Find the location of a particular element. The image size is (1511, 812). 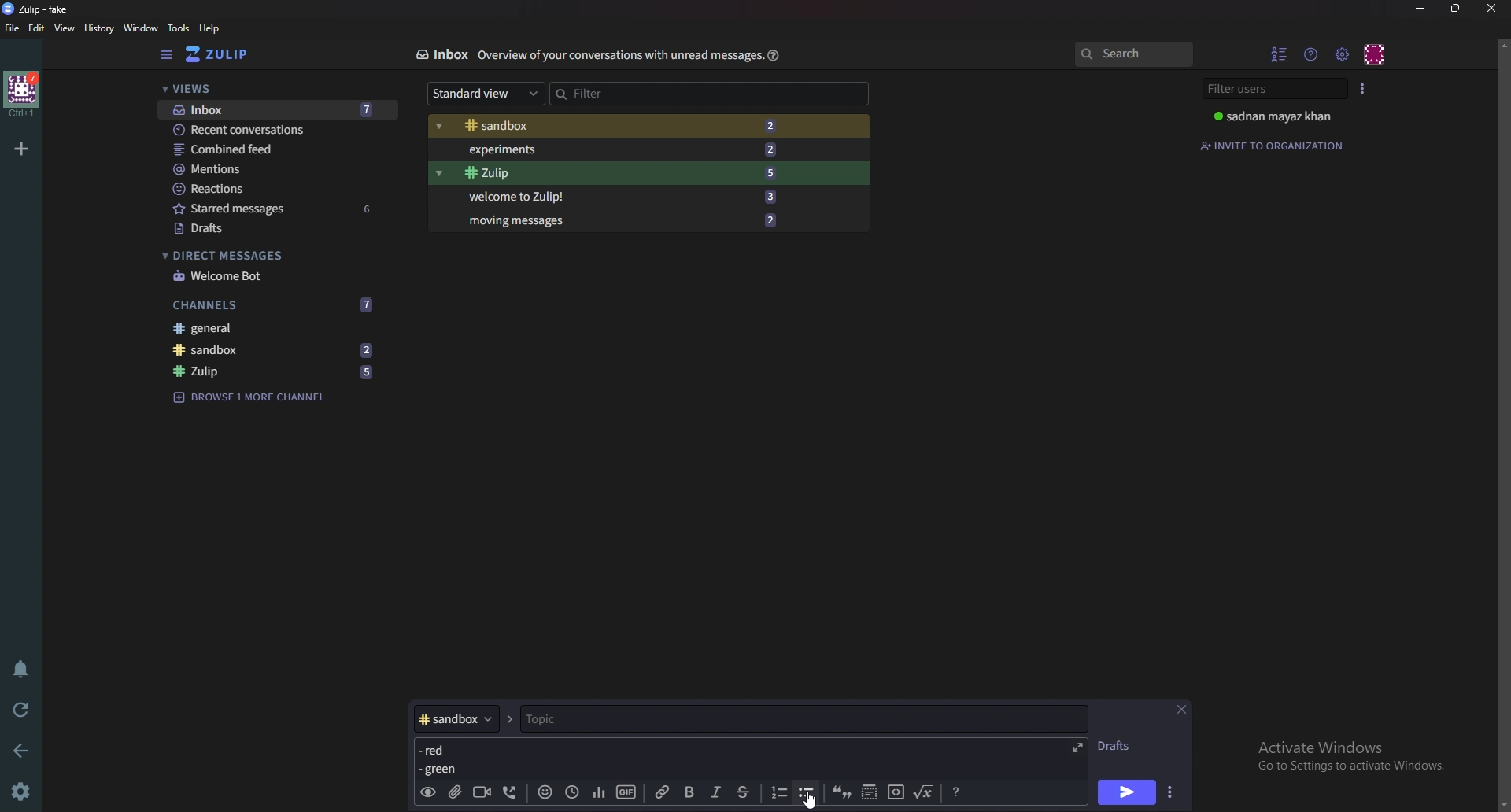

Sandbox is located at coordinates (614, 127).